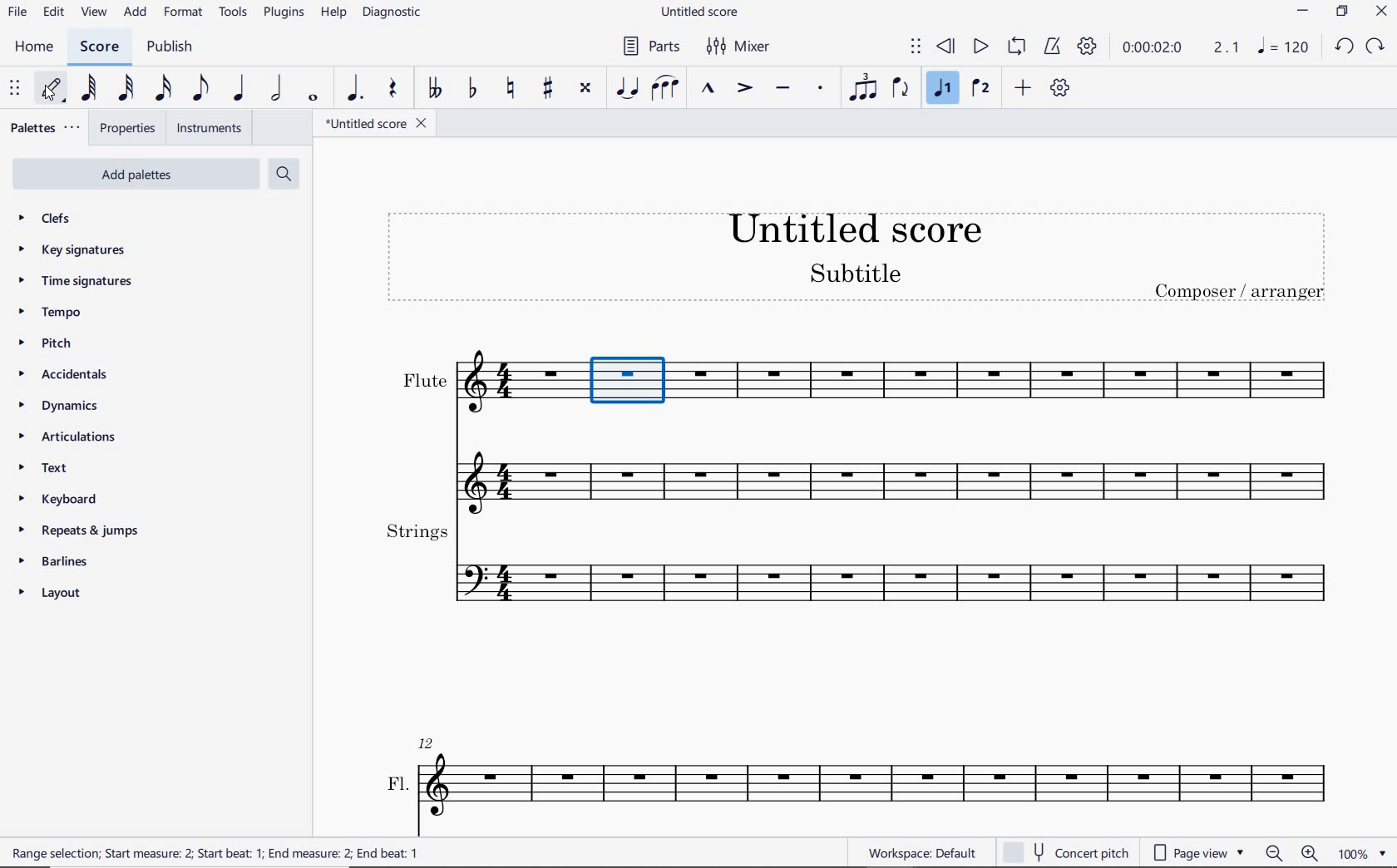 Image resolution: width=1397 pixels, height=868 pixels. What do you see at coordinates (856, 567) in the screenshot?
I see `strings` at bounding box center [856, 567].